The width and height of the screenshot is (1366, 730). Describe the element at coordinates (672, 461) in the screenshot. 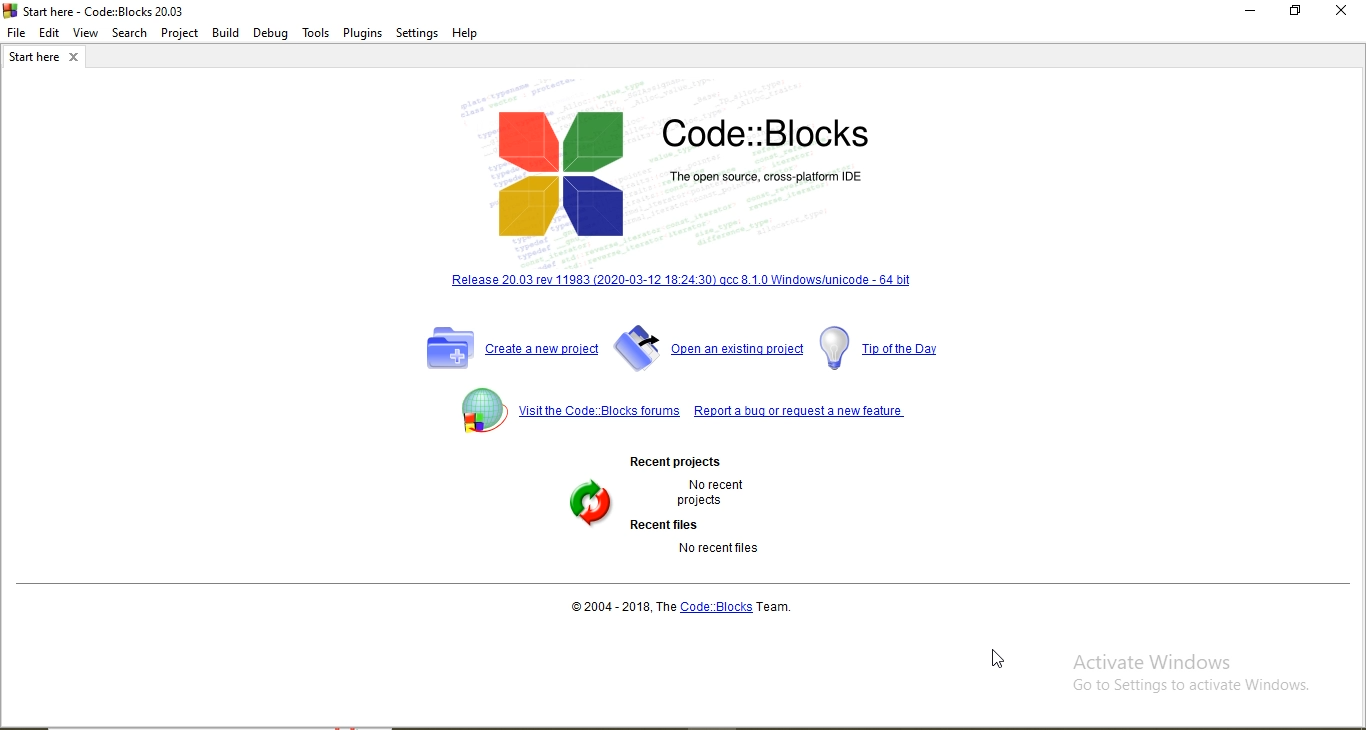

I see `Recent projects` at that location.